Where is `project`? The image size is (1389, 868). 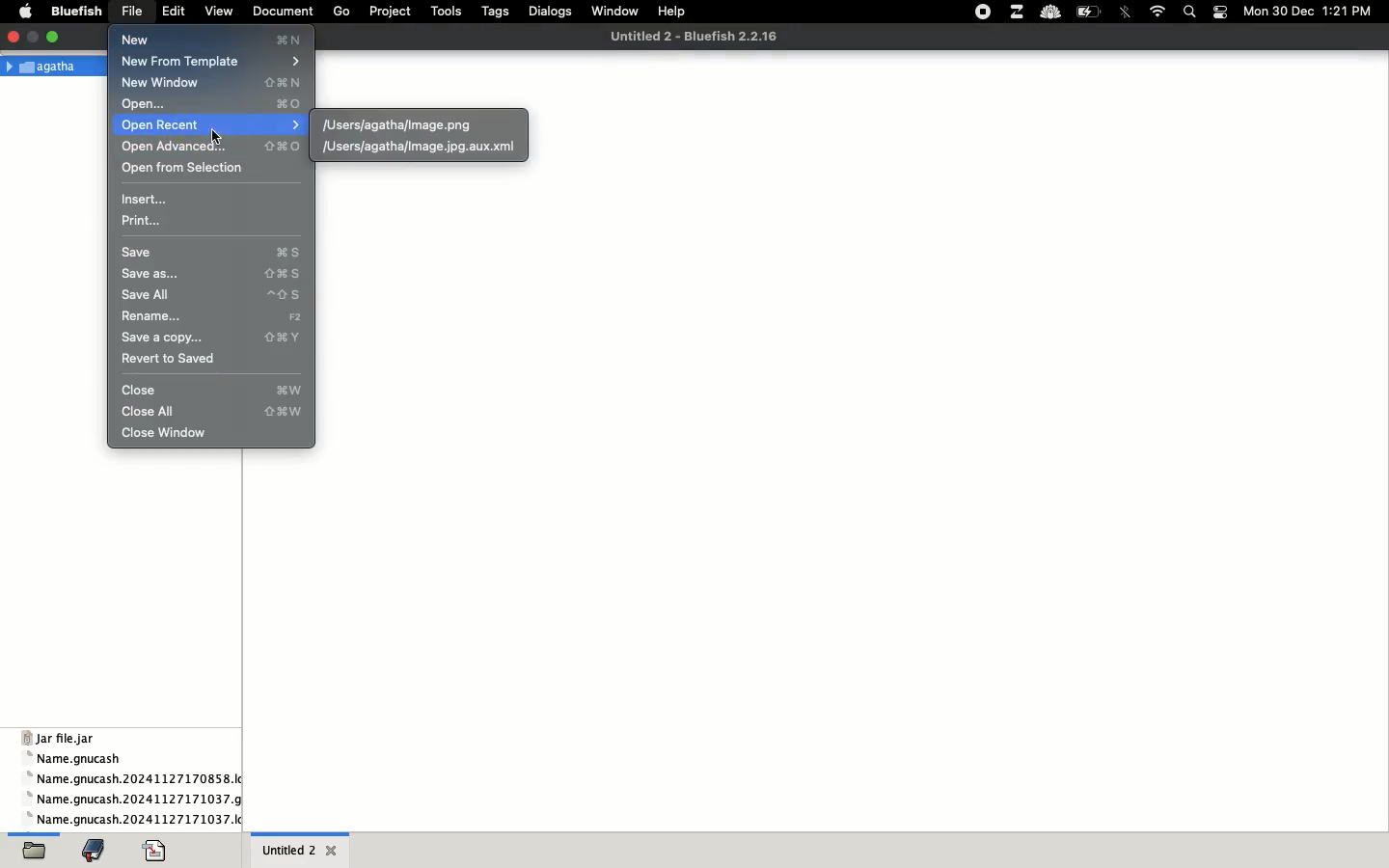
project is located at coordinates (393, 11).